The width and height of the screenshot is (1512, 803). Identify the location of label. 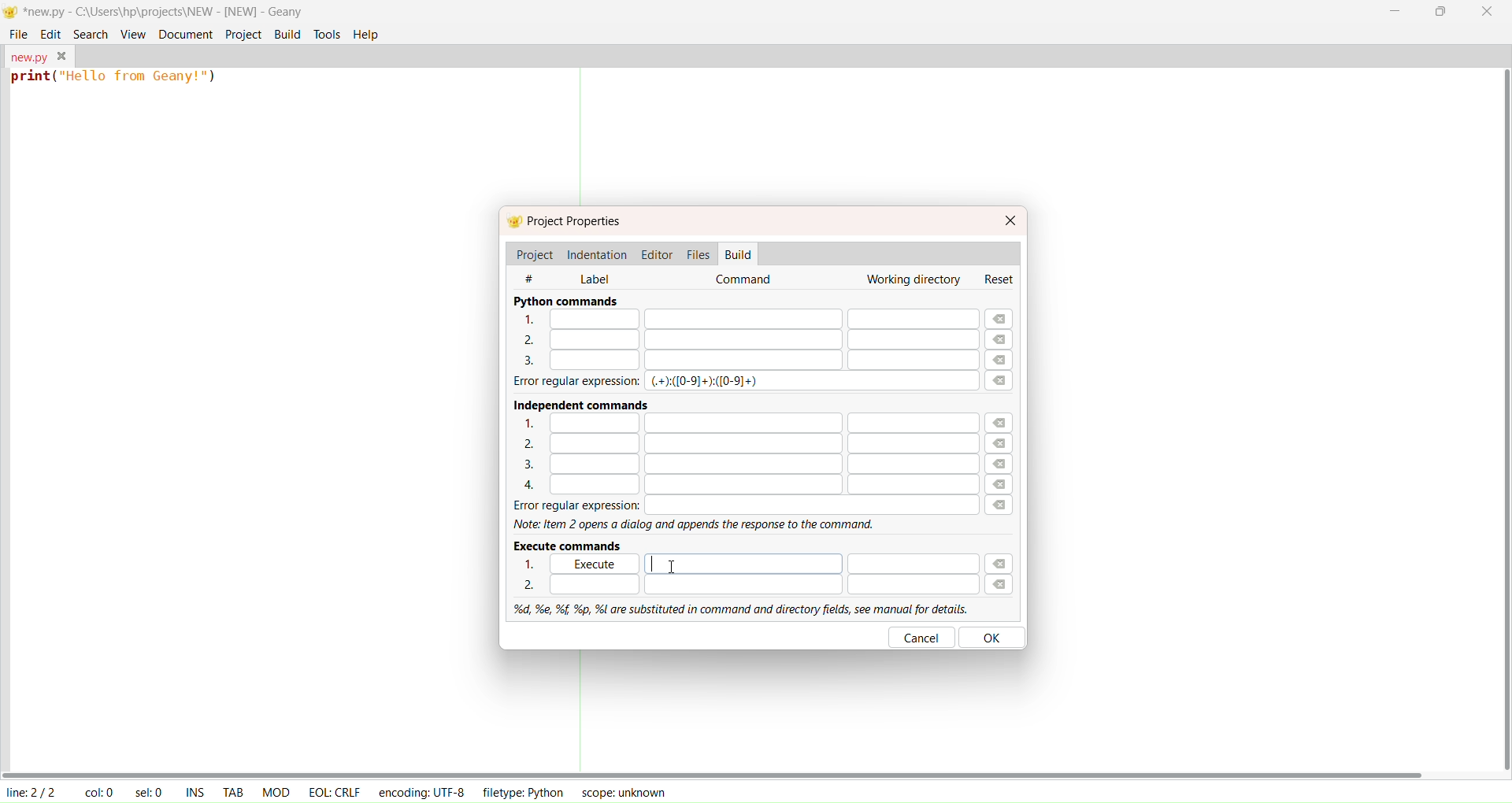
(595, 277).